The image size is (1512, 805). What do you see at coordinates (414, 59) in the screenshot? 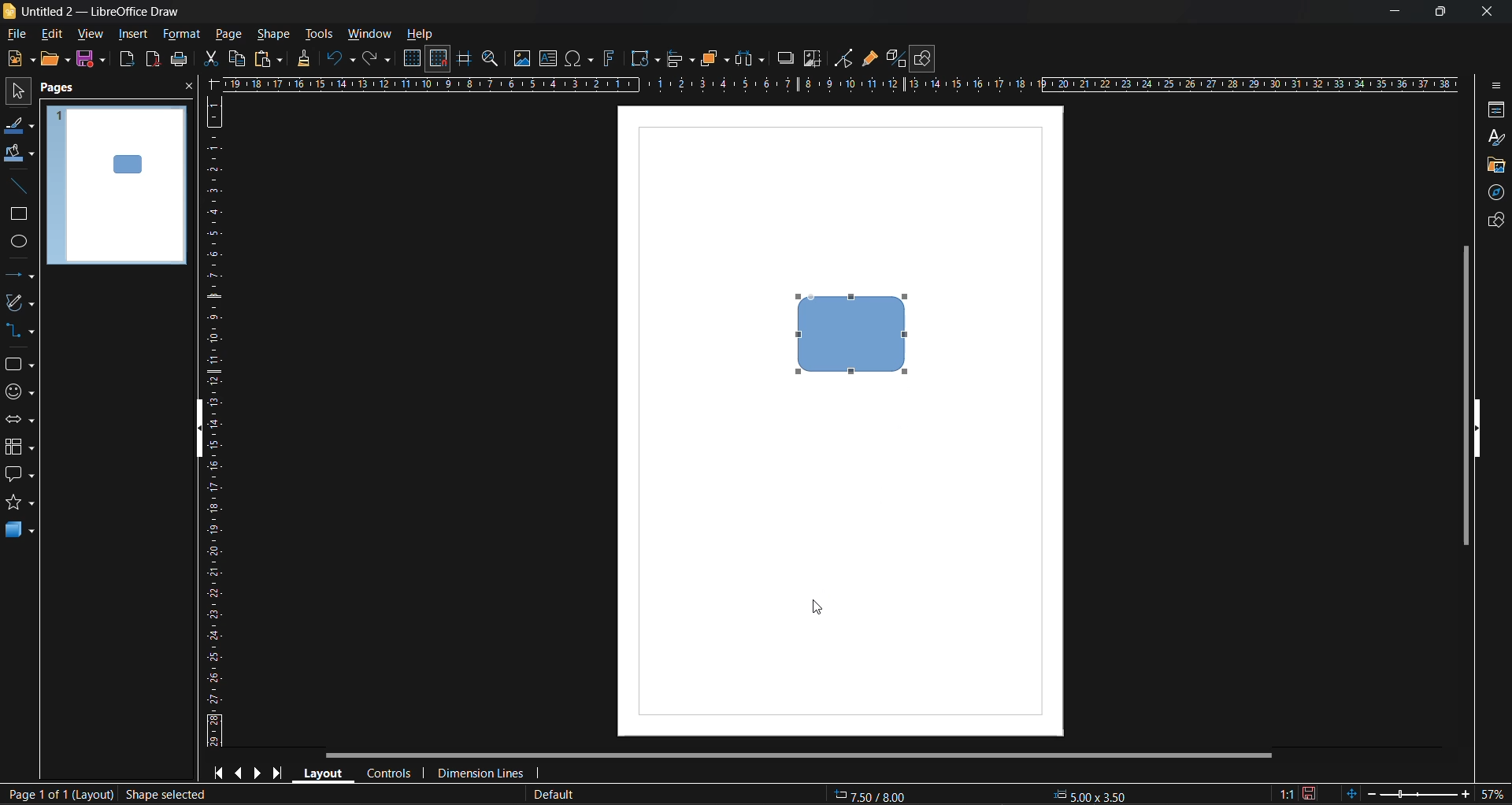
I see `display grid` at bounding box center [414, 59].